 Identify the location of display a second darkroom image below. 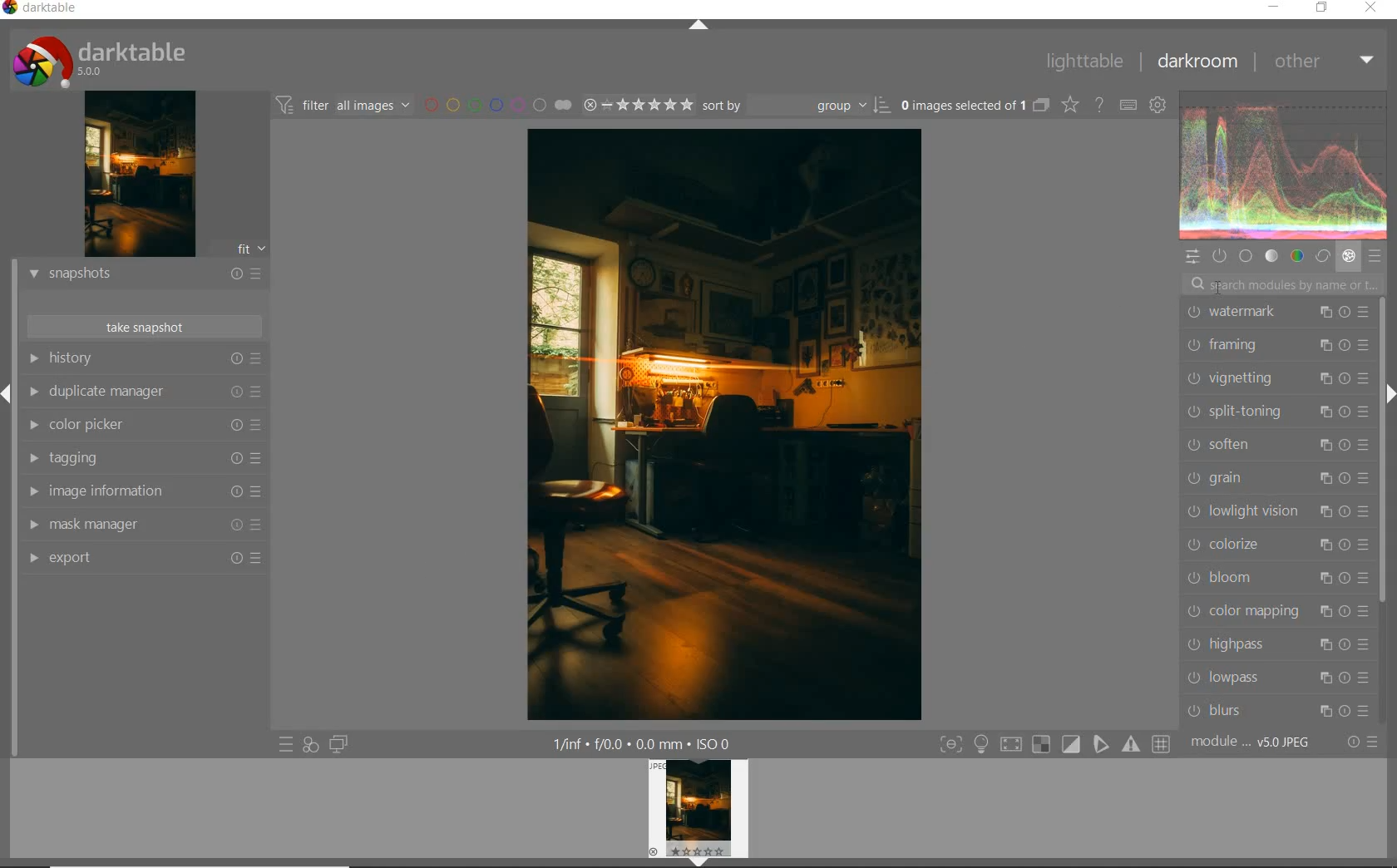
(338, 745).